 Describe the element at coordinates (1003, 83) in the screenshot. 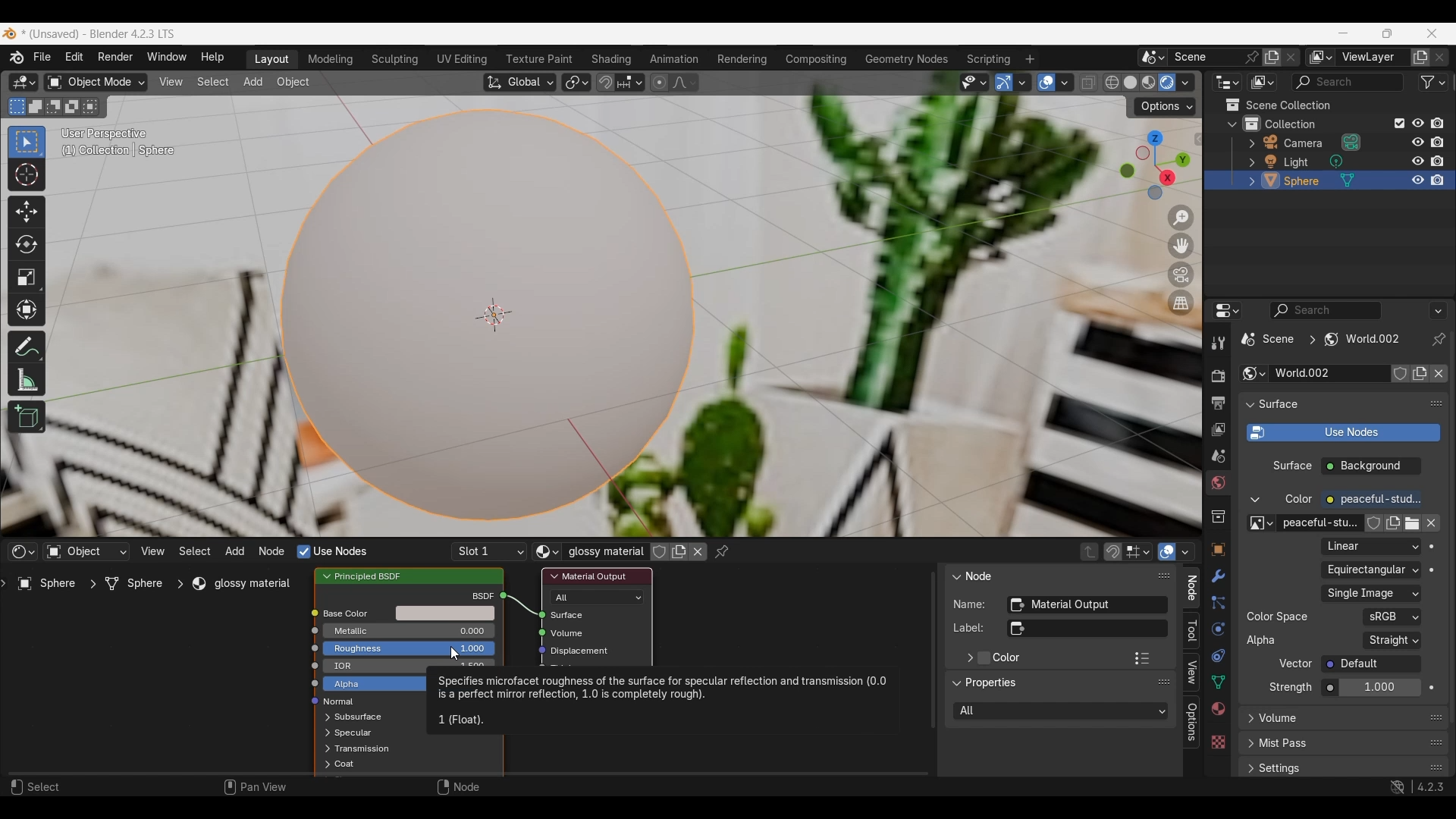

I see `Show gizmo` at that location.